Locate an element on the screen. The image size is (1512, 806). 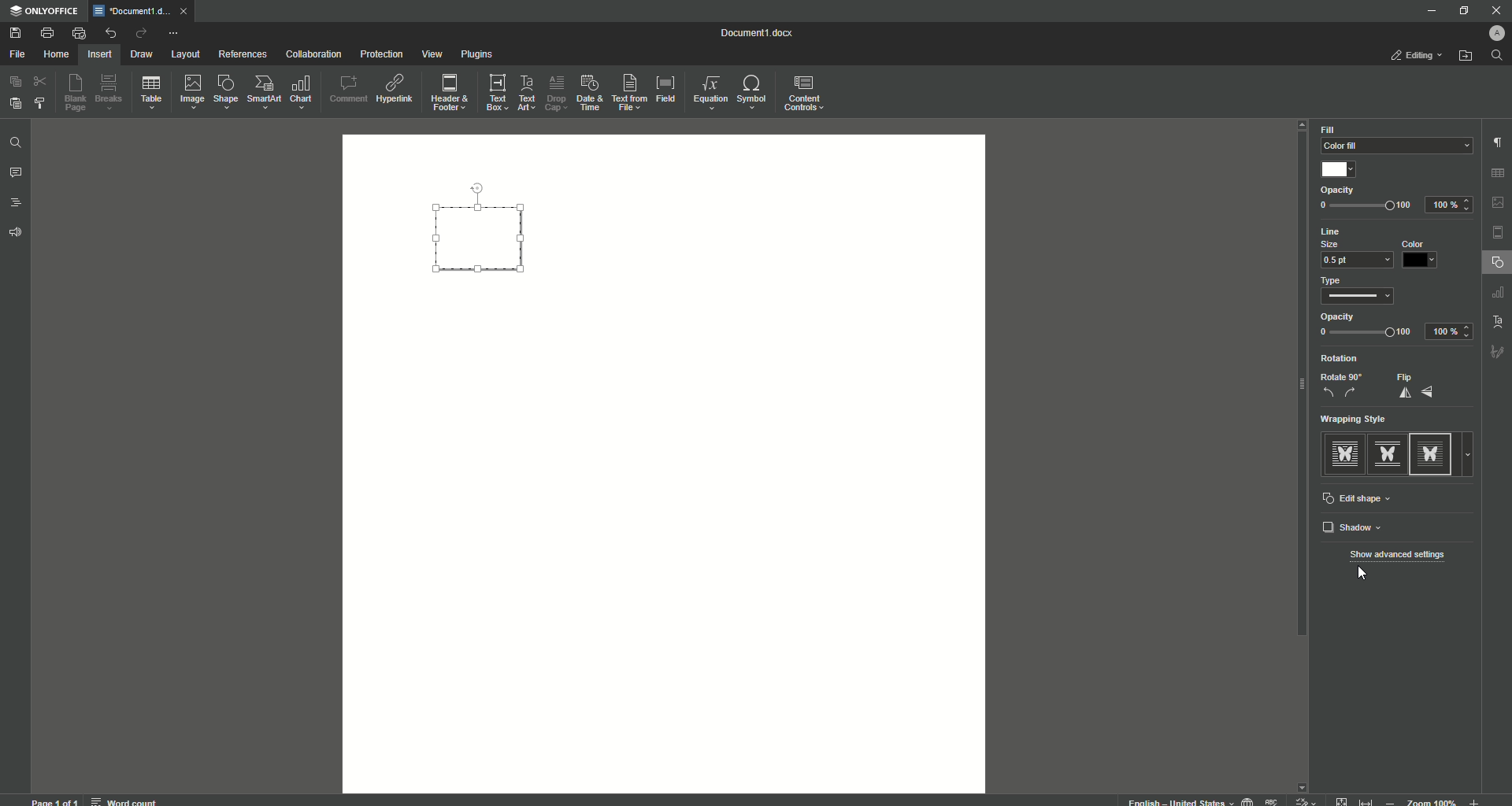
table is located at coordinates (1500, 171).